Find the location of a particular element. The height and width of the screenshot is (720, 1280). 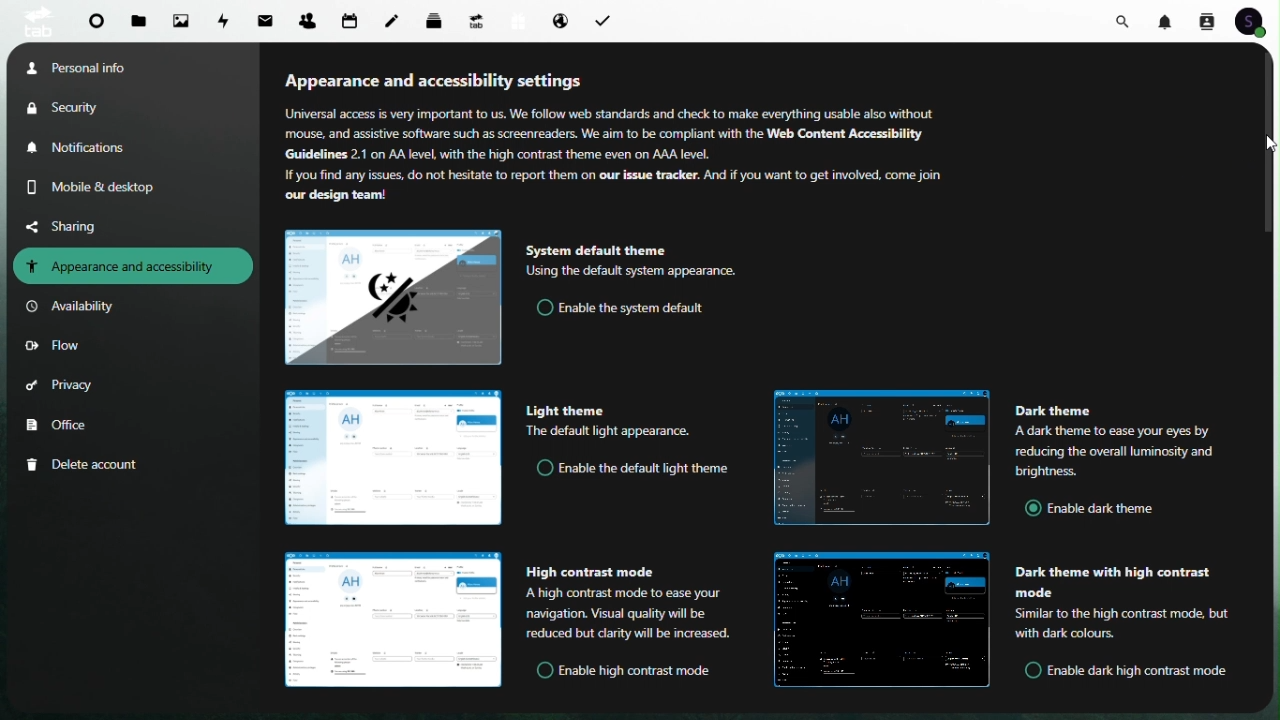

And if you want to get involved, come join is located at coordinates (827, 176).